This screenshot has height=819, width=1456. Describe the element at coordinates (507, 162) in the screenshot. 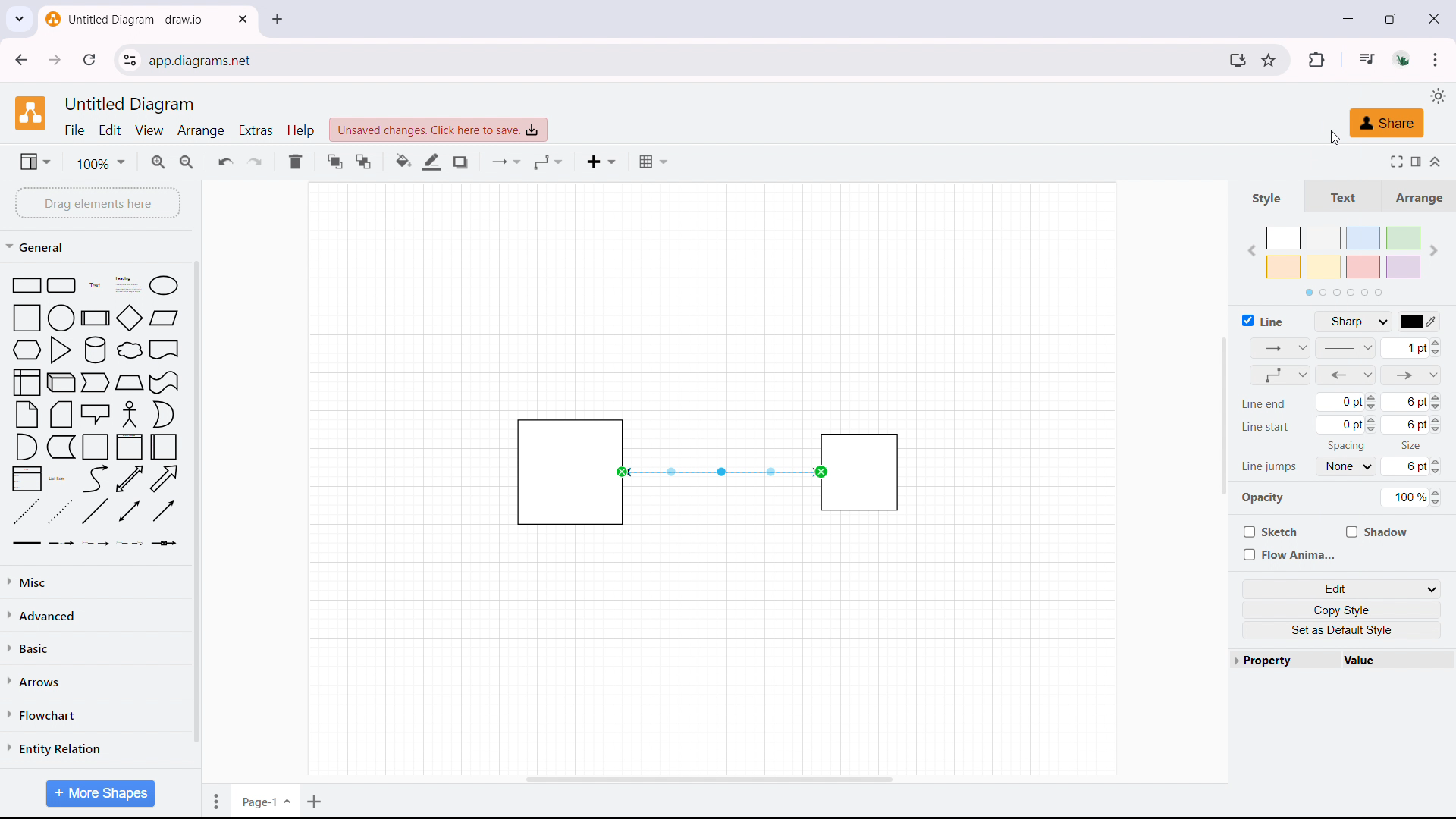

I see `conncetion` at that location.